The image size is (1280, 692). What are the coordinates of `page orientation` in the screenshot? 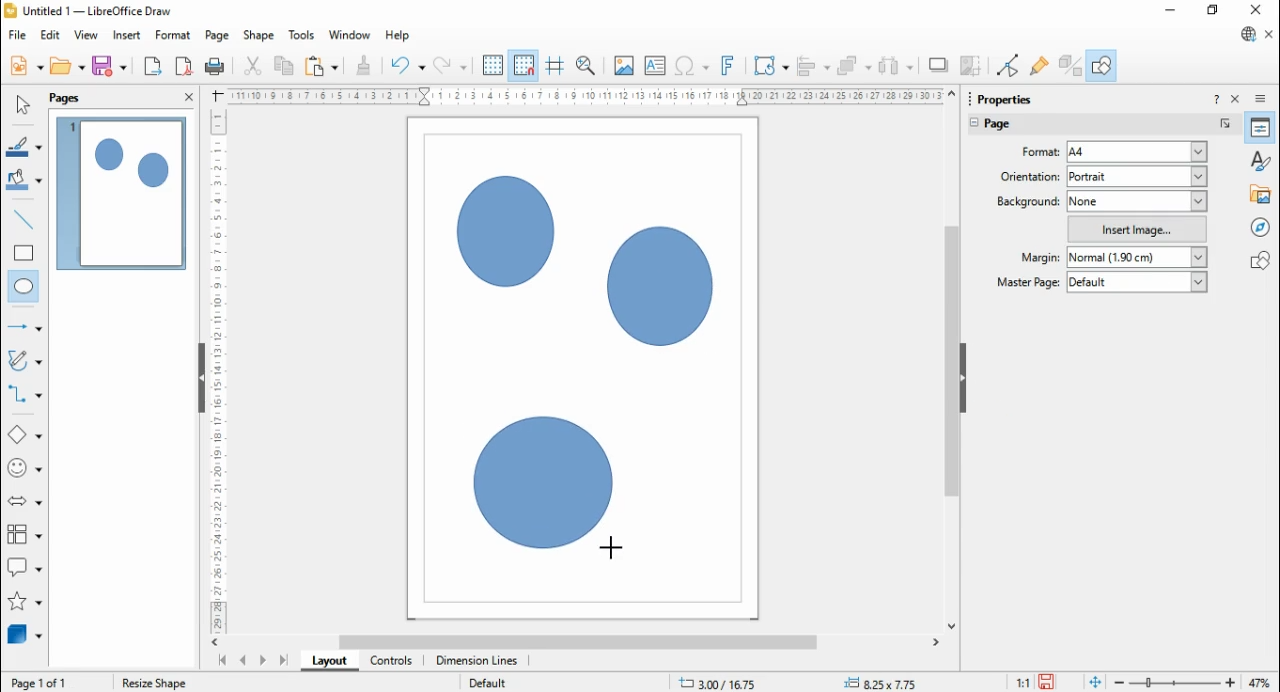 It's located at (1030, 175).